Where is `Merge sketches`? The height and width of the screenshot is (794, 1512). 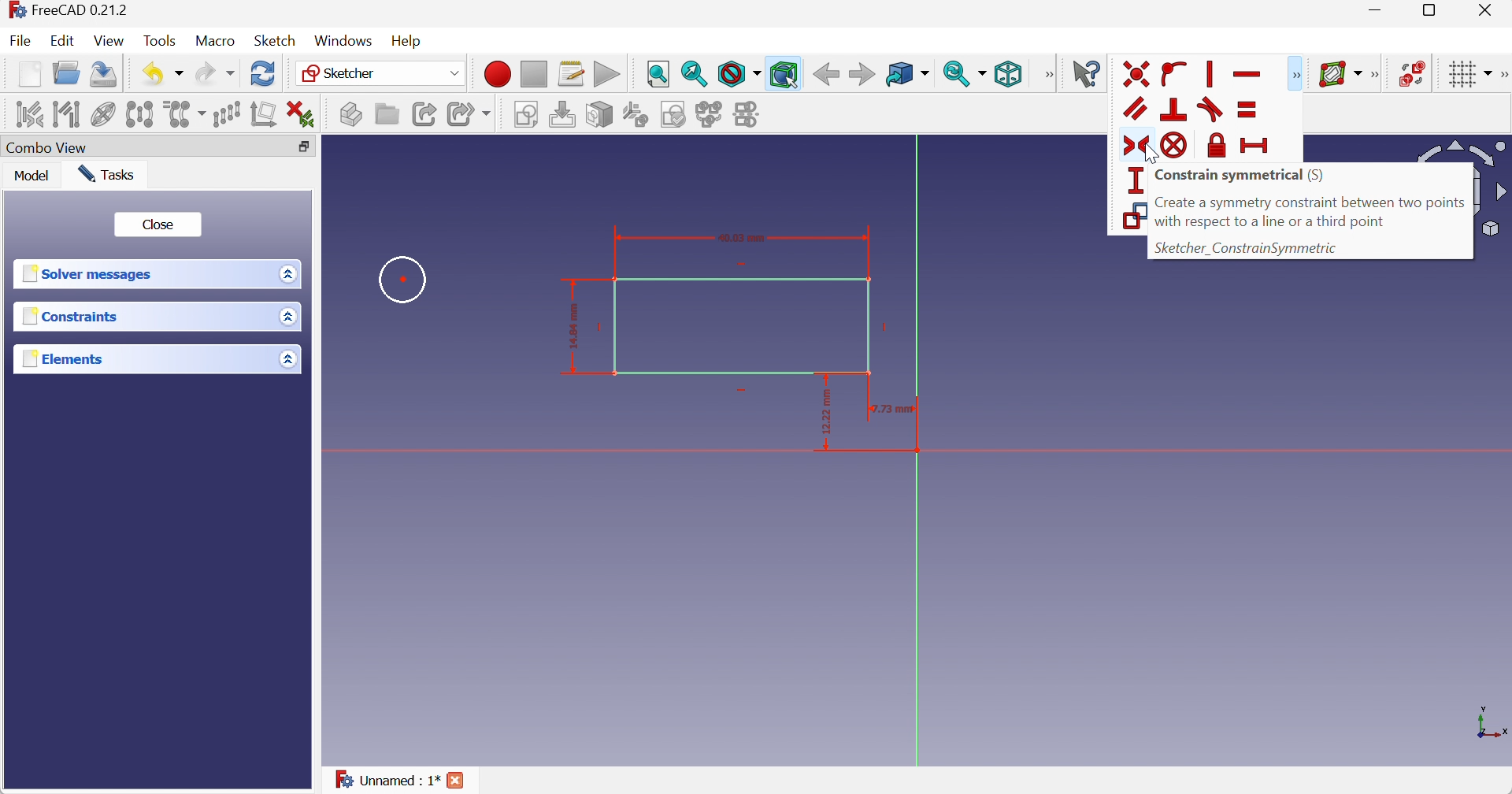 Merge sketches is located at coordinates (711, 114).